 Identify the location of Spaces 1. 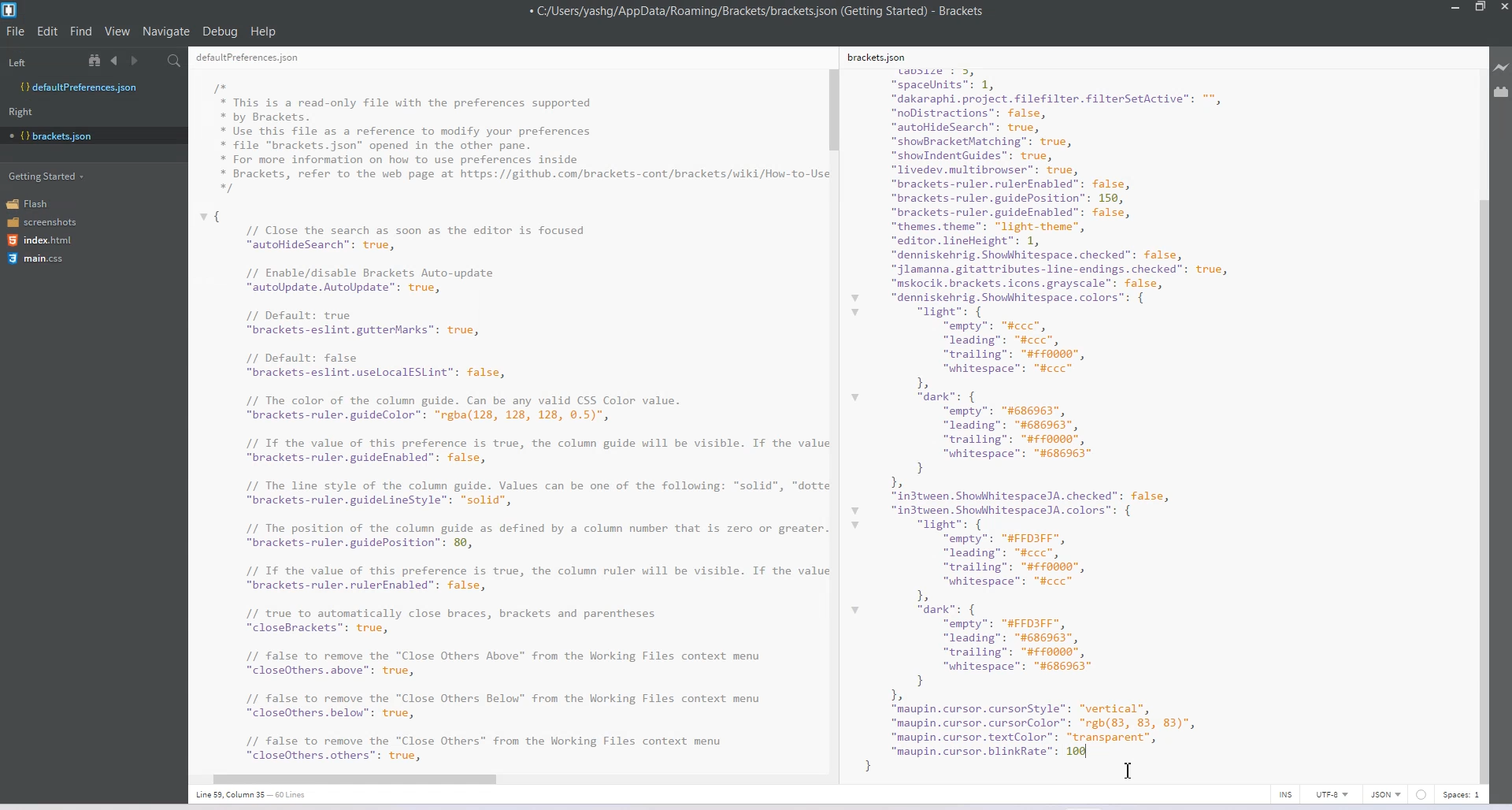
(1462, 795).